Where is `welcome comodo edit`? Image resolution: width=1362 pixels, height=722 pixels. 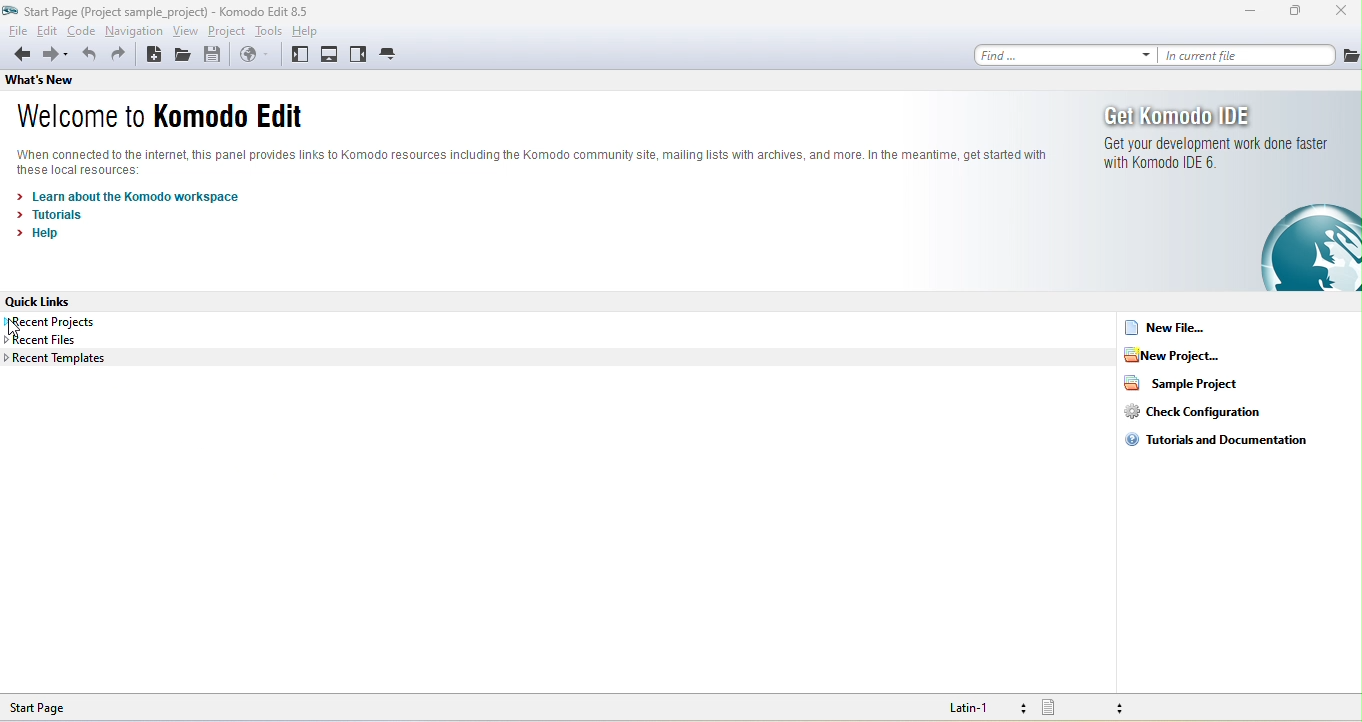
welcome comodo edit is located at coordinates (173, 119).